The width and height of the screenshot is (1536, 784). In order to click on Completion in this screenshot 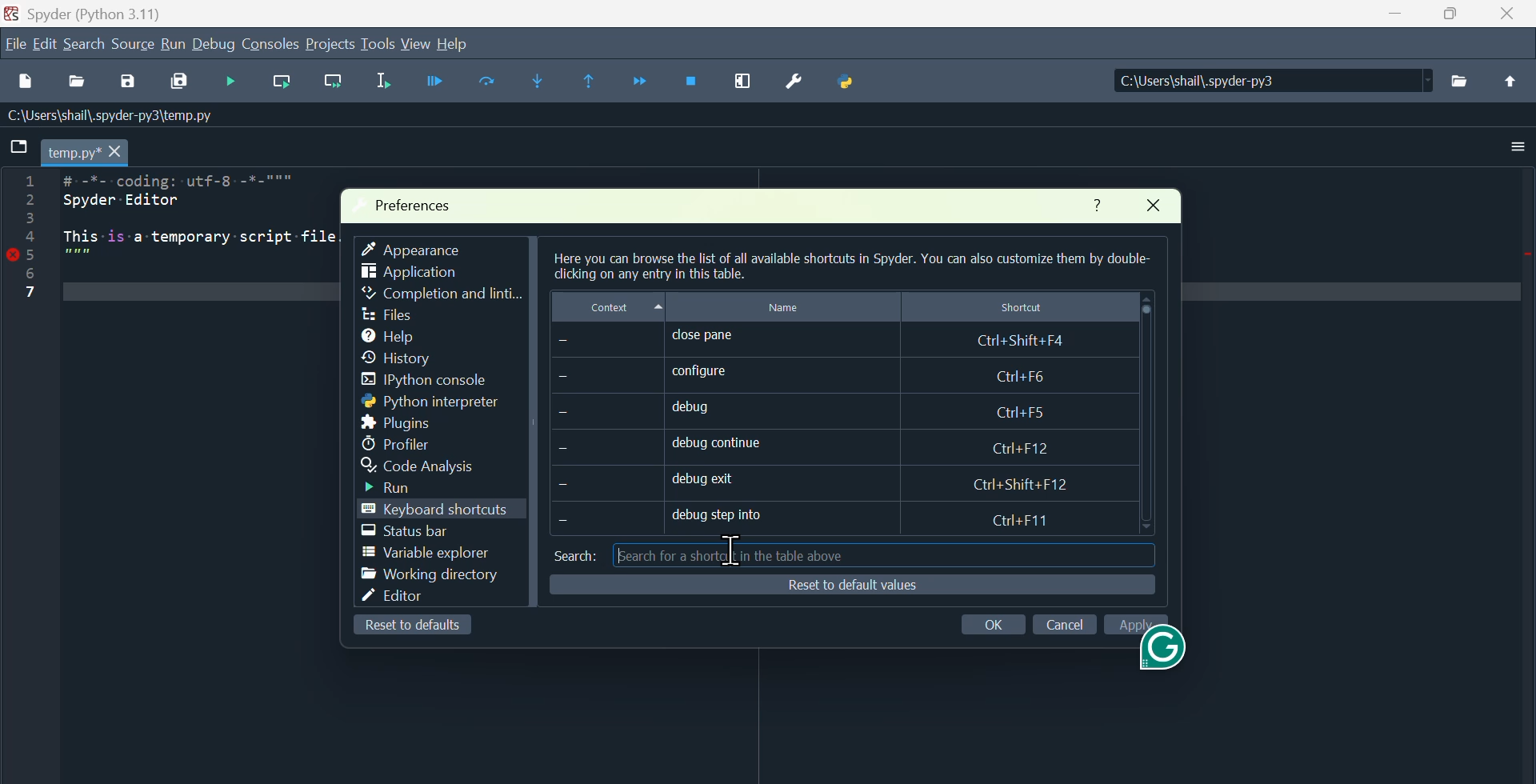, I will do `click(442, 294)`.